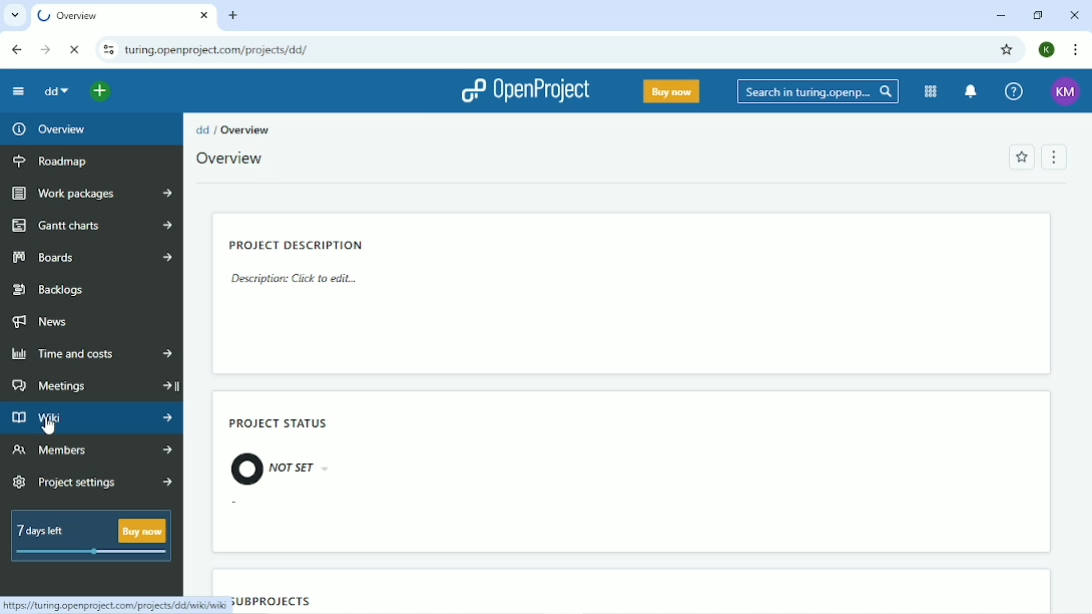  What do you see at coordinates (45, 50) in the screenshot?
I see `Forward` at bounding box center [45, 50].